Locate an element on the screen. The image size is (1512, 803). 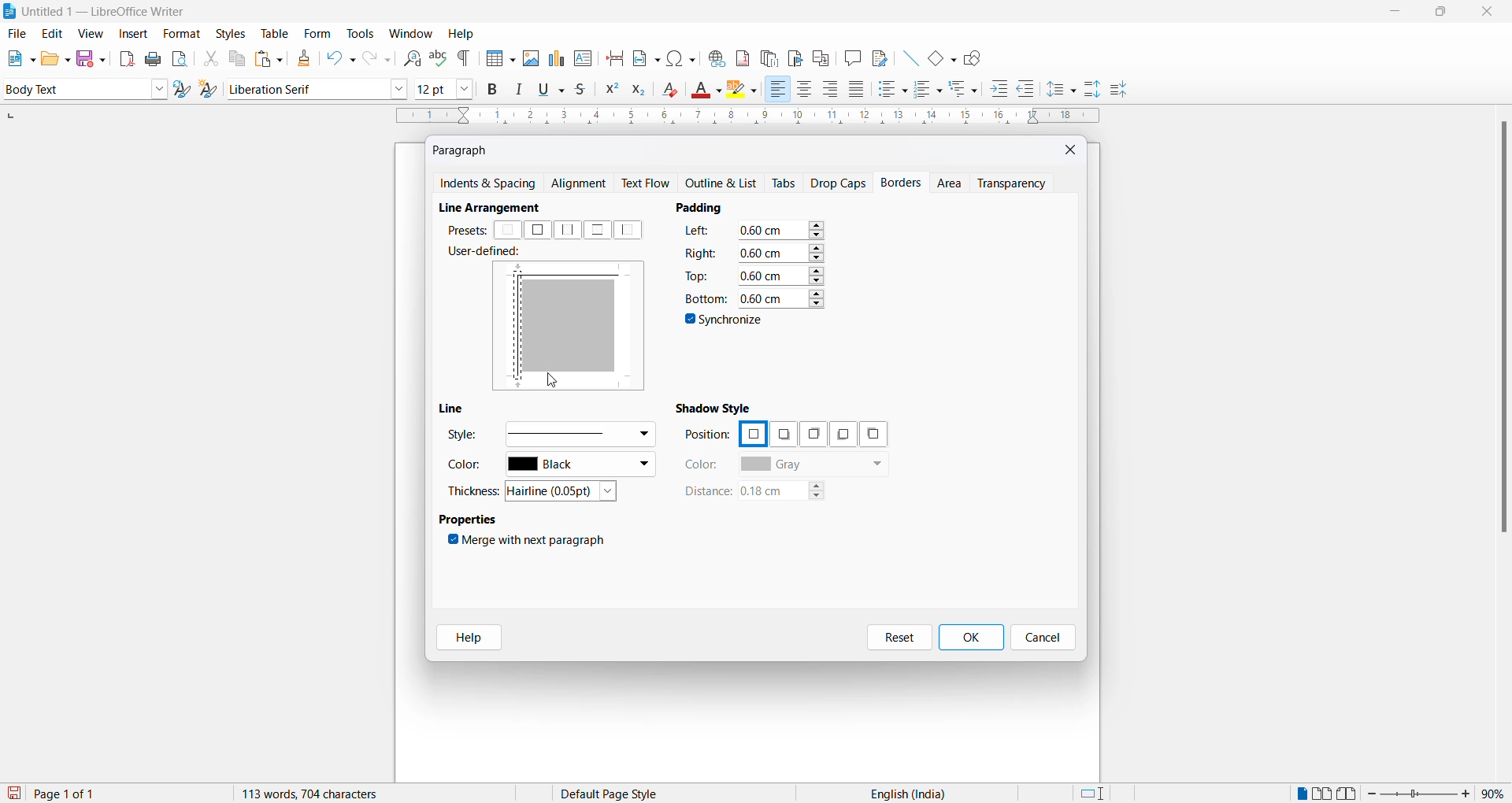
value is located at coordinates (781, 274).